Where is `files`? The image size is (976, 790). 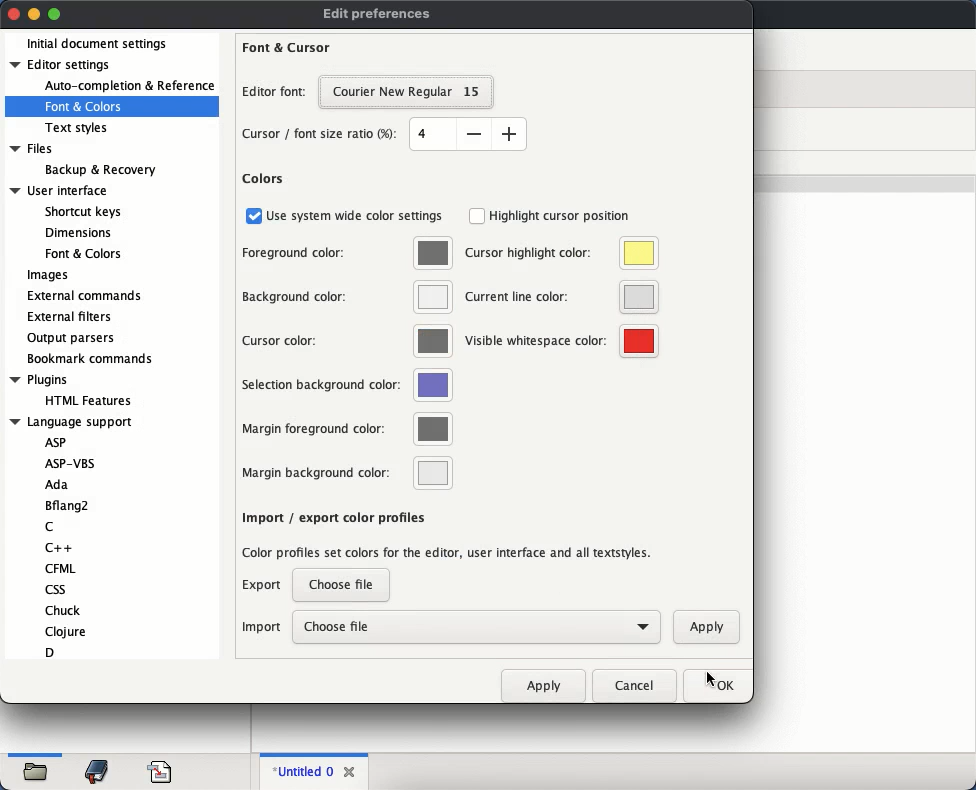
files is located at coordinates (34, 150).